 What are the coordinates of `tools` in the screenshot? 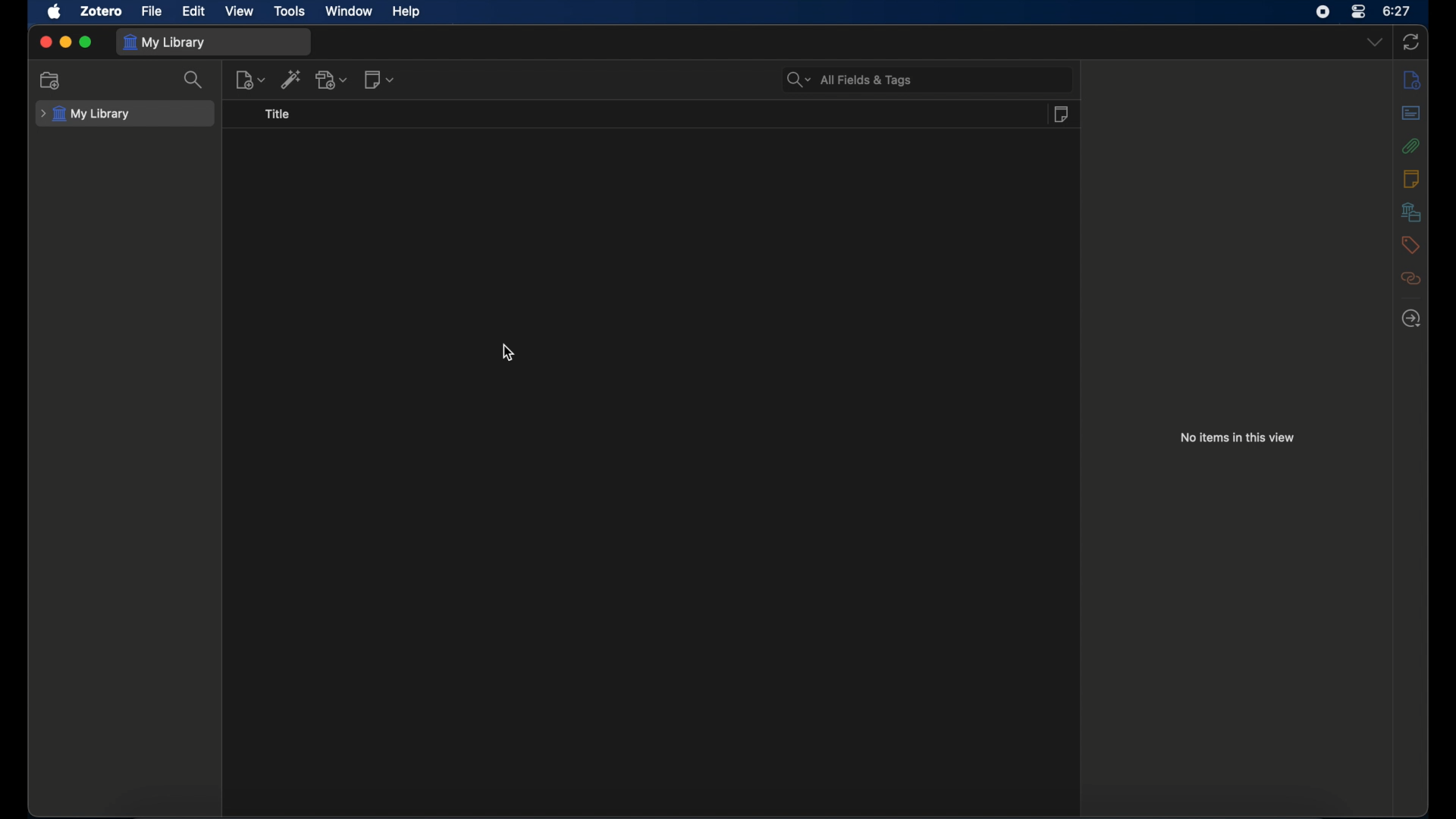 It's located at (290, 11).